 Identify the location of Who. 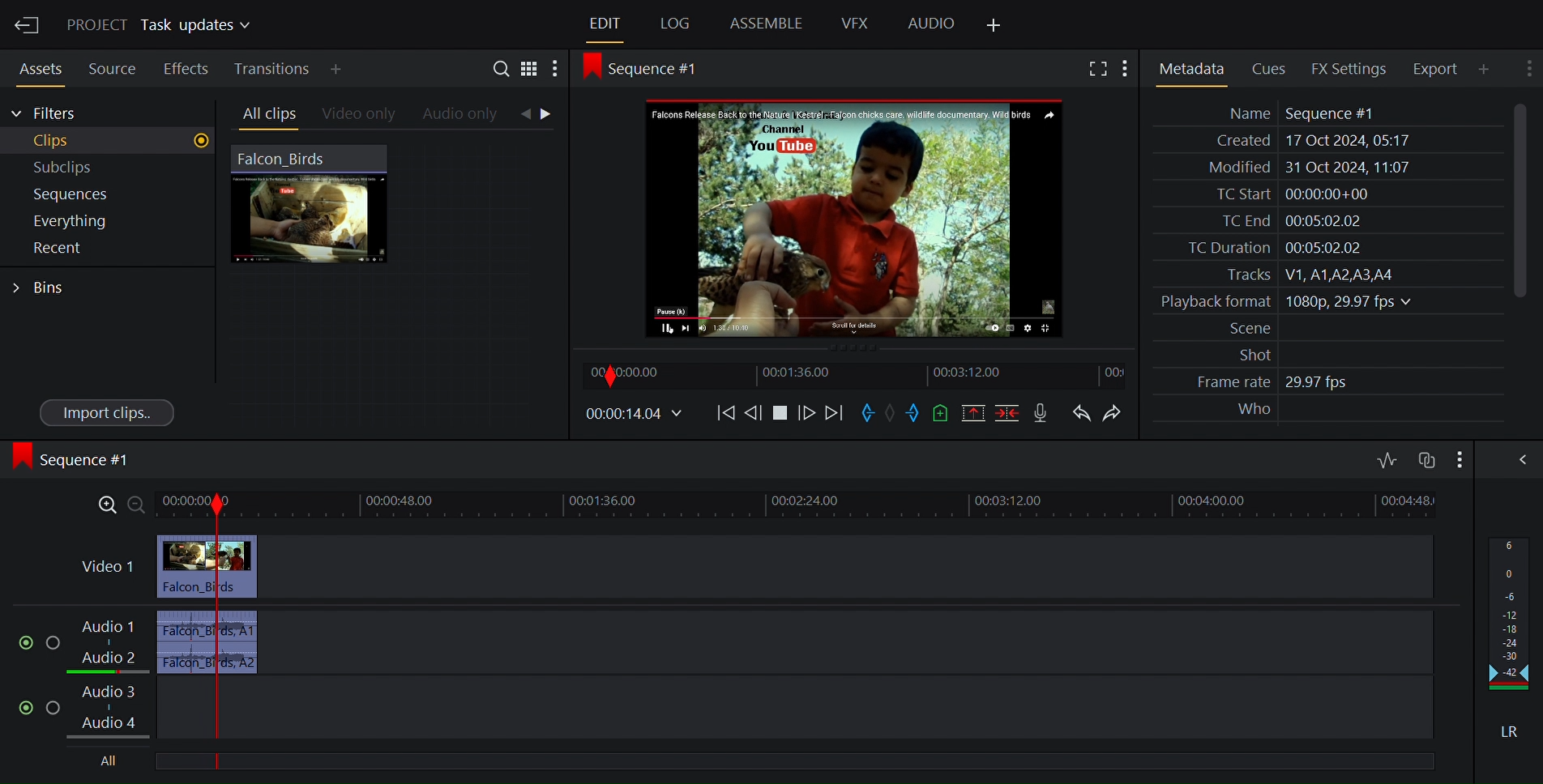
(1251, 410).